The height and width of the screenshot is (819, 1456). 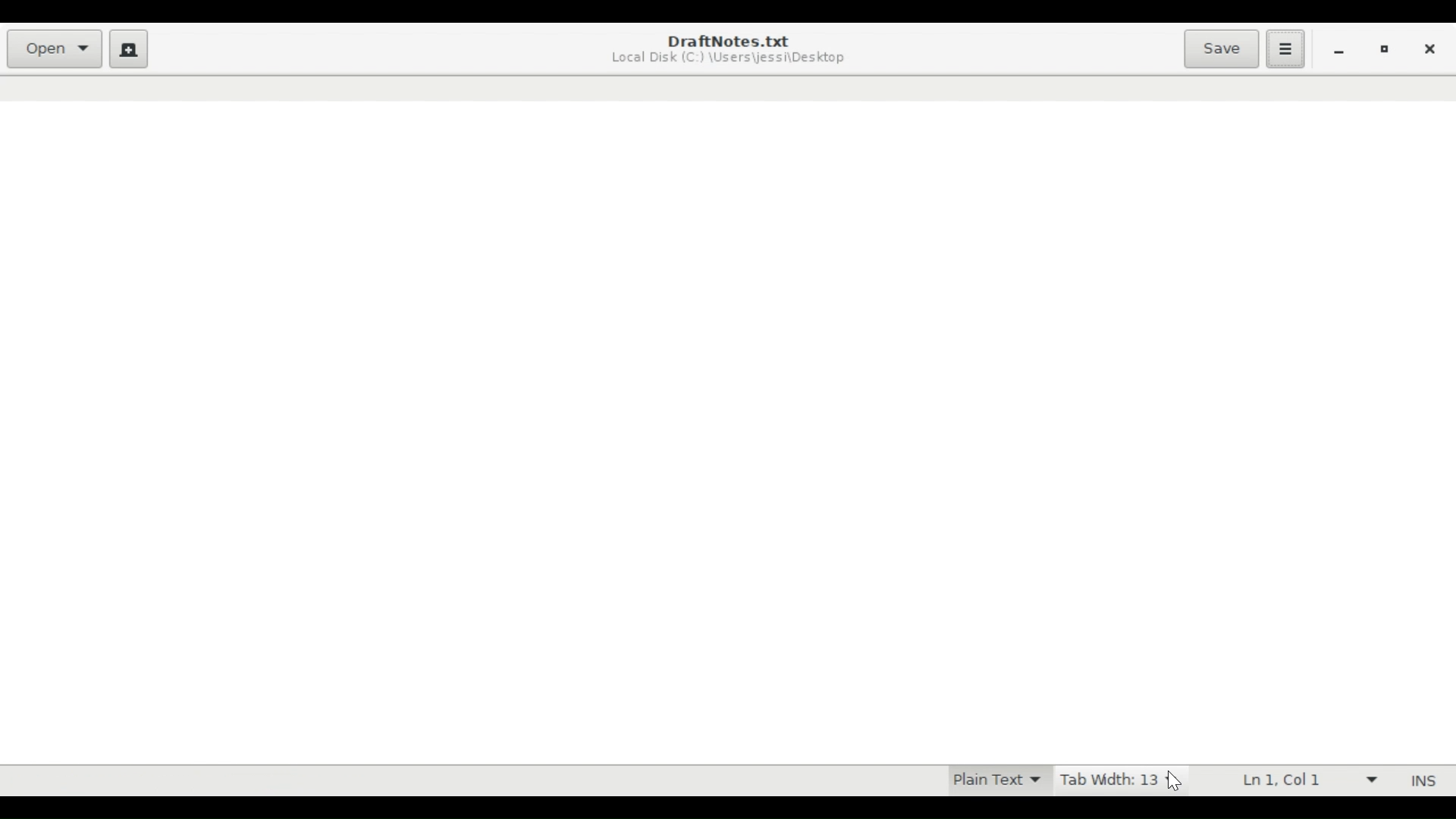 What do you see at coordinates (1285, 48) in the screenshot?
I see `Application menu` at bounding box center [1285, 48].